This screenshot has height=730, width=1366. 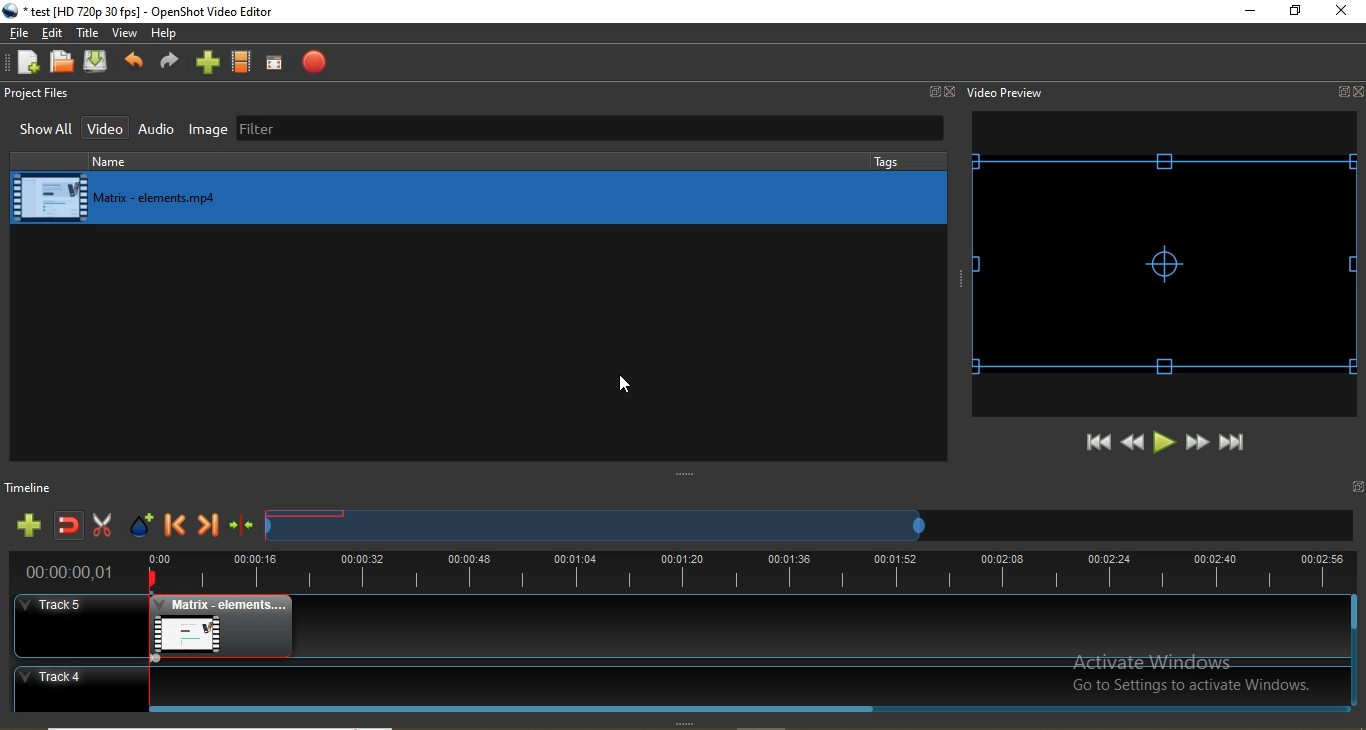 What do you see at coordinates (24, 62) in the screenshot?
I see `New project` at bounding box center [24, 62].